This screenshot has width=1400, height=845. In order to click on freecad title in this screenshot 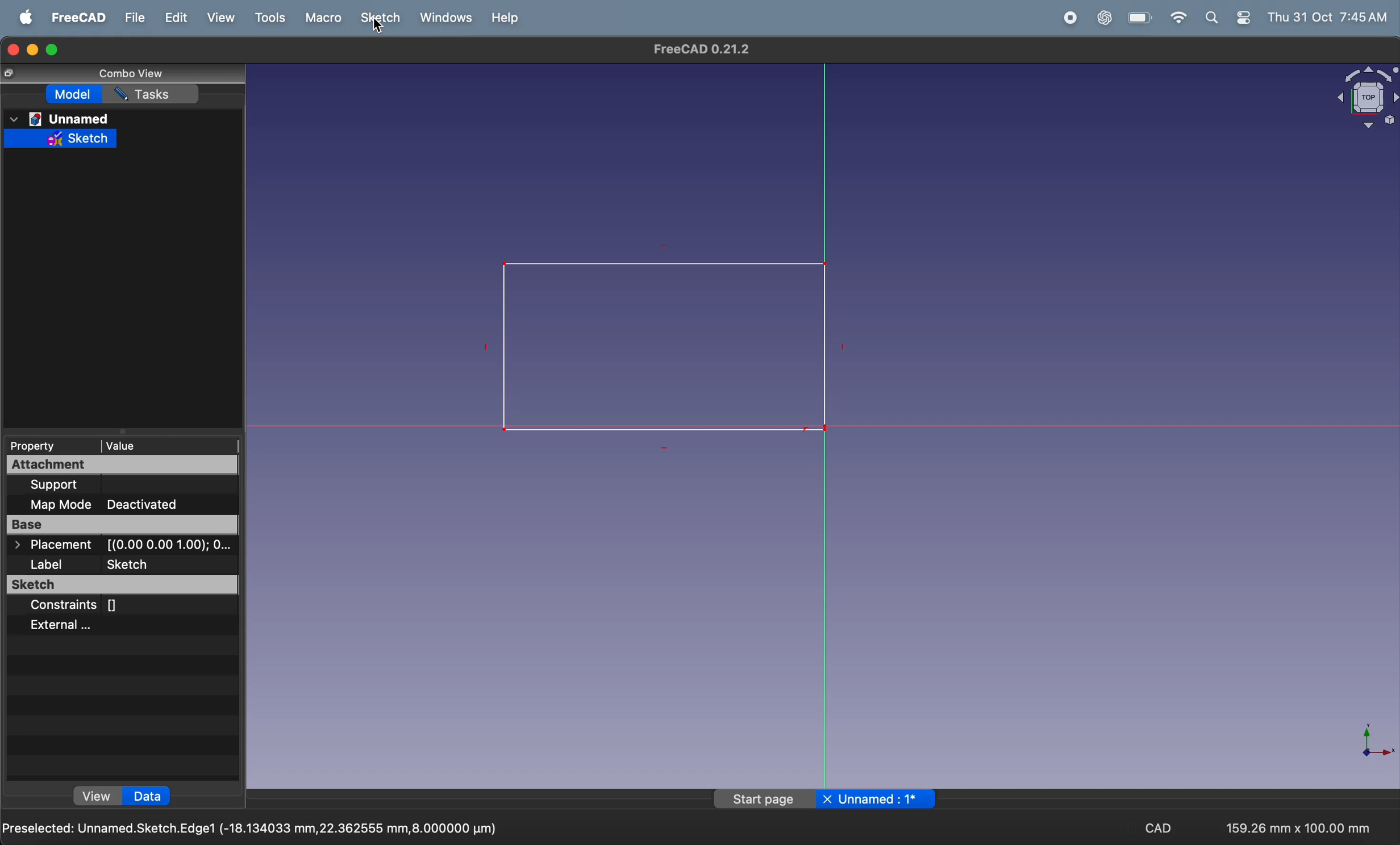, I will do `click(701, 50)`.